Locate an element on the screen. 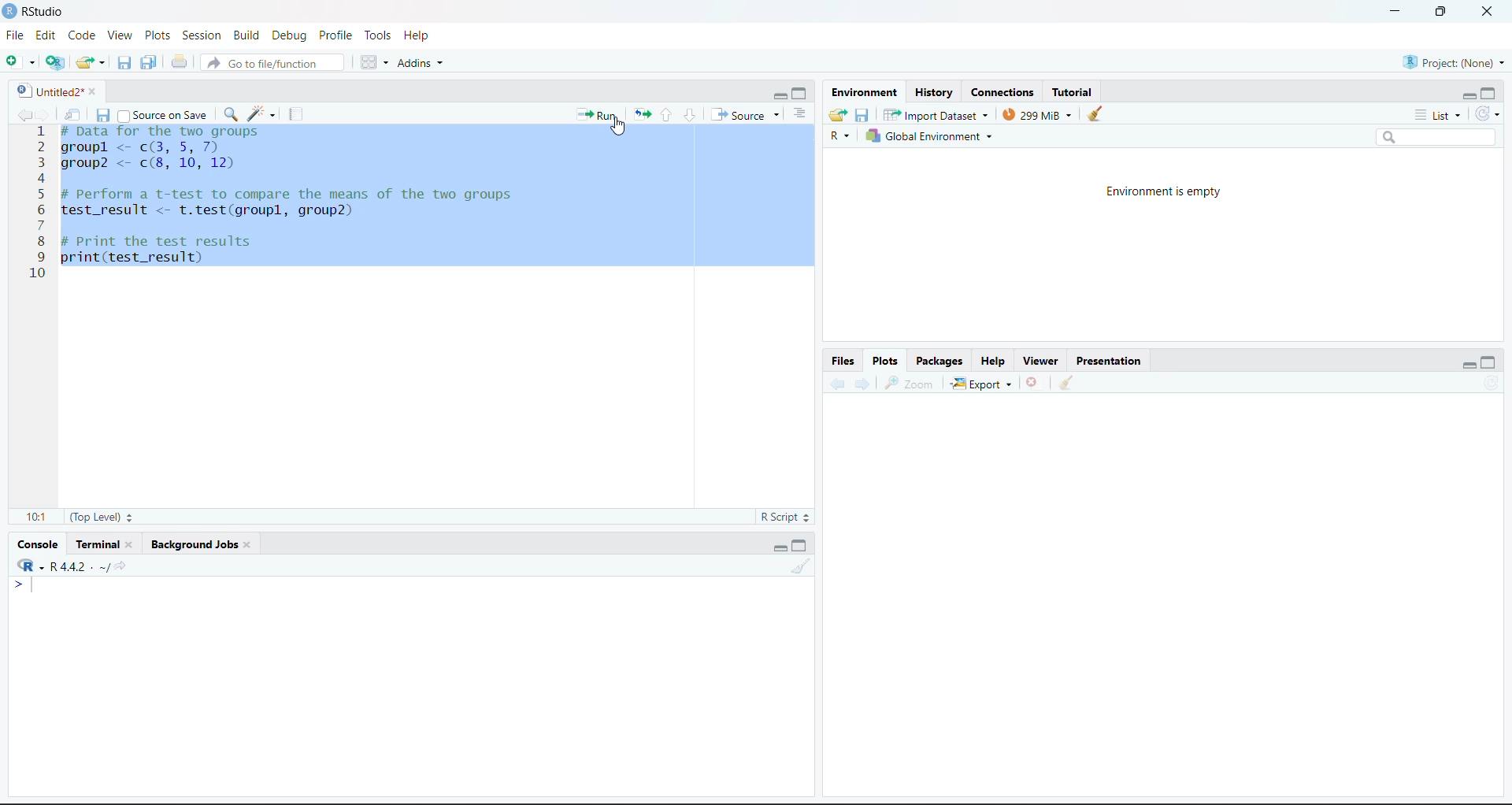 Image resolution: width=1512 pixels, height=805 pixels. find/replace is located at coordinates (232, 113).